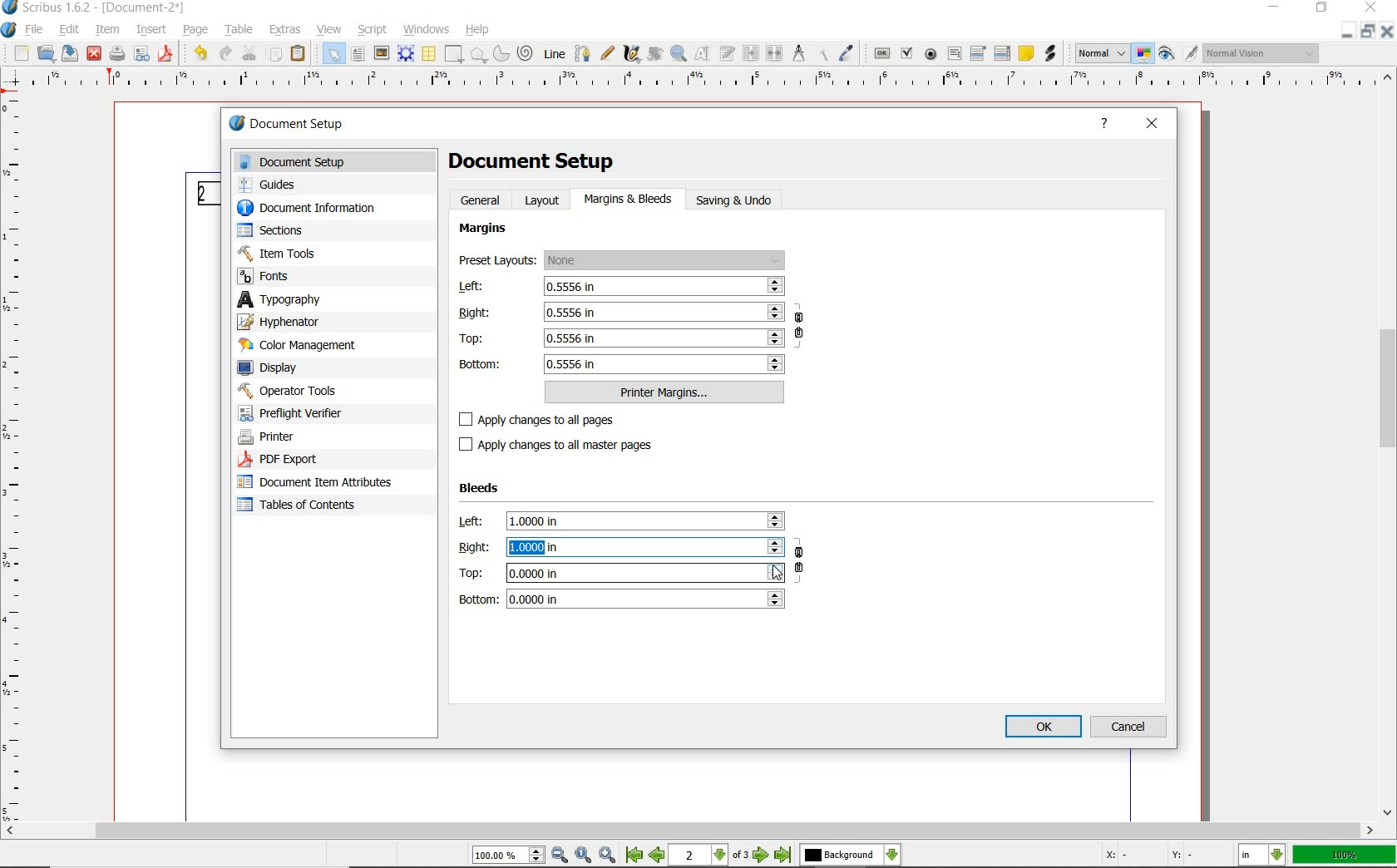 The width and height of the screenshot is (1397, 868). I want to click on document setup, so click(338, 162).